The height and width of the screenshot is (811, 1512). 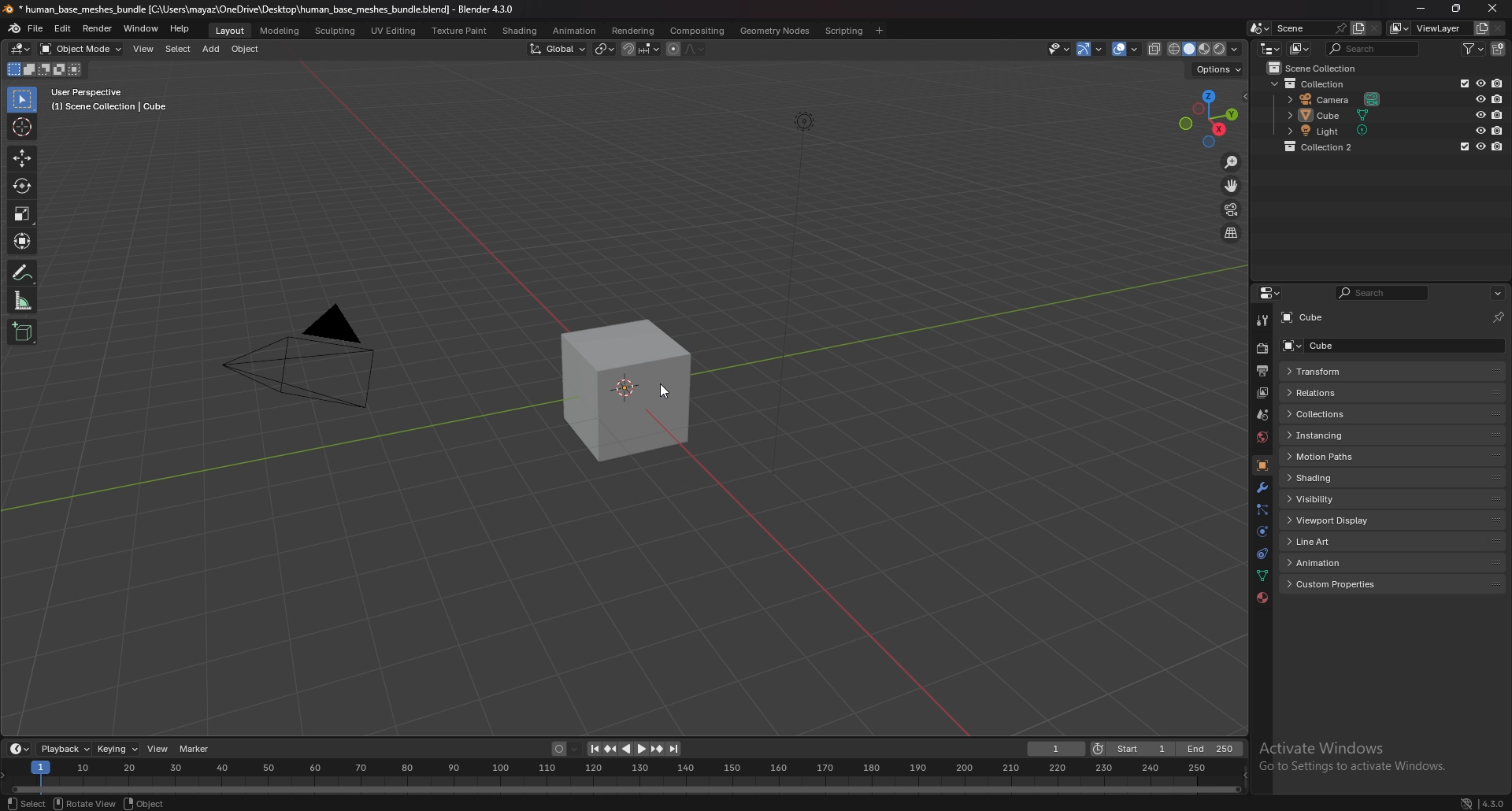 What do you see at coordinates (1499, 130) in the screenshot?
I see `disable in renders` at bounding box center [1499, 130].